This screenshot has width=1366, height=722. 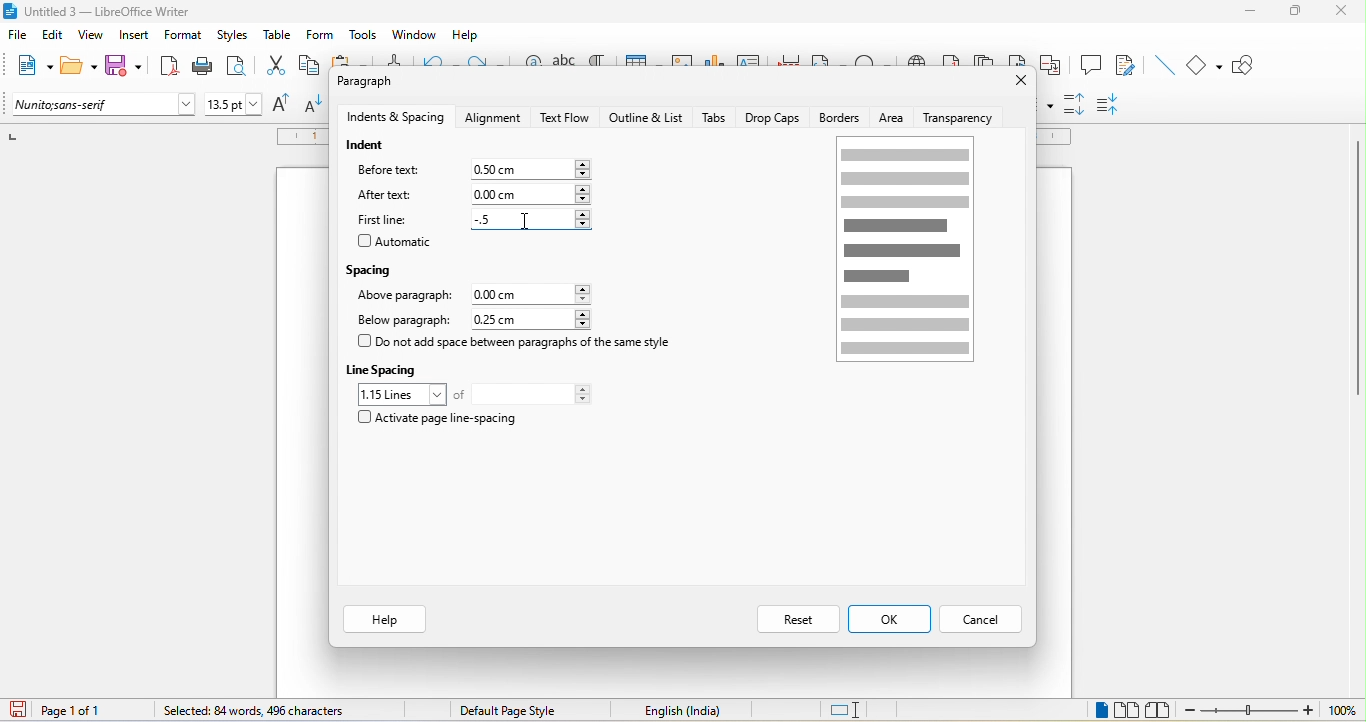 I want to click on close, so click(x=1338, y=10).